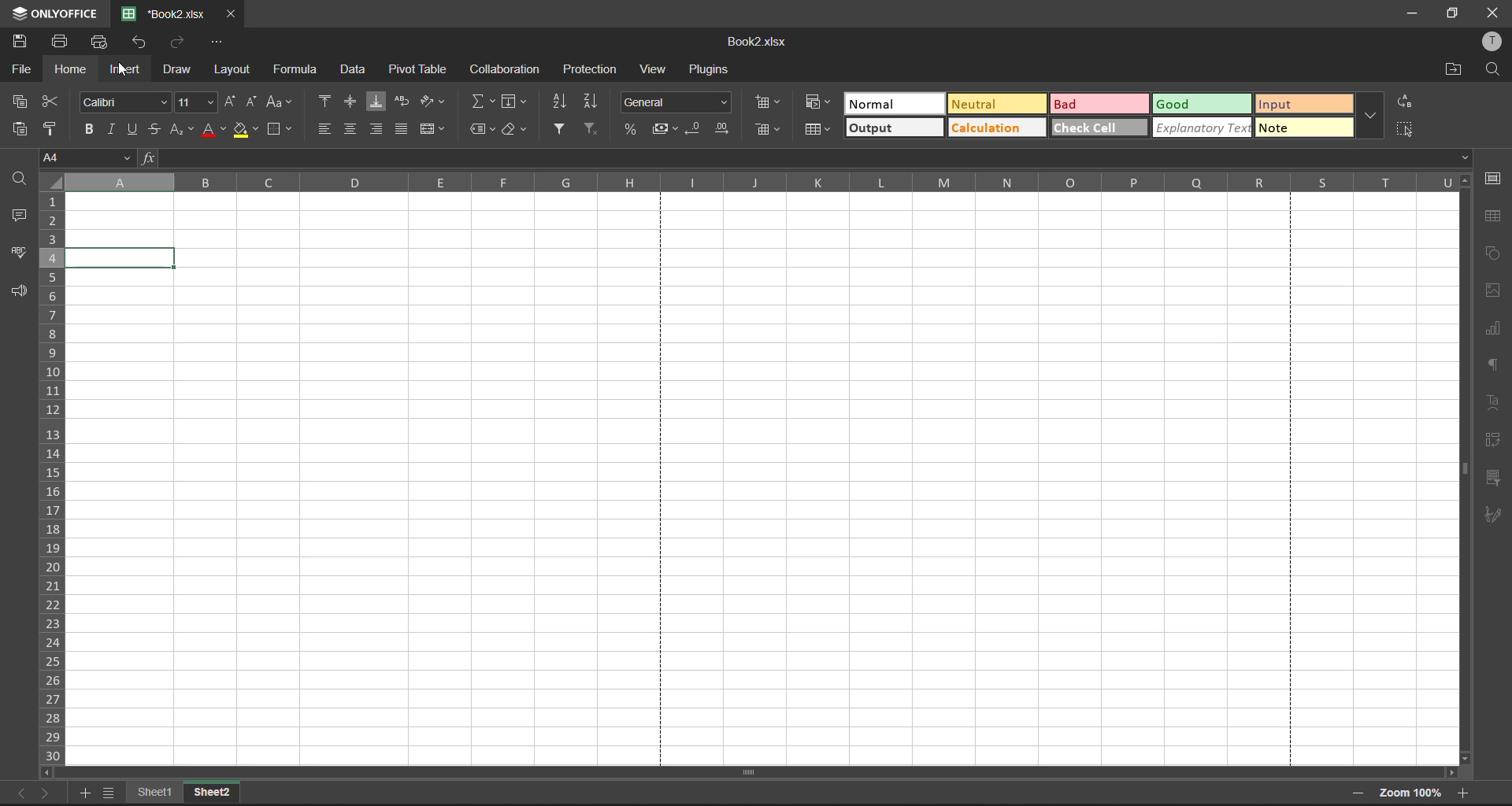  I want to click on row numbers, so click(53, 478).